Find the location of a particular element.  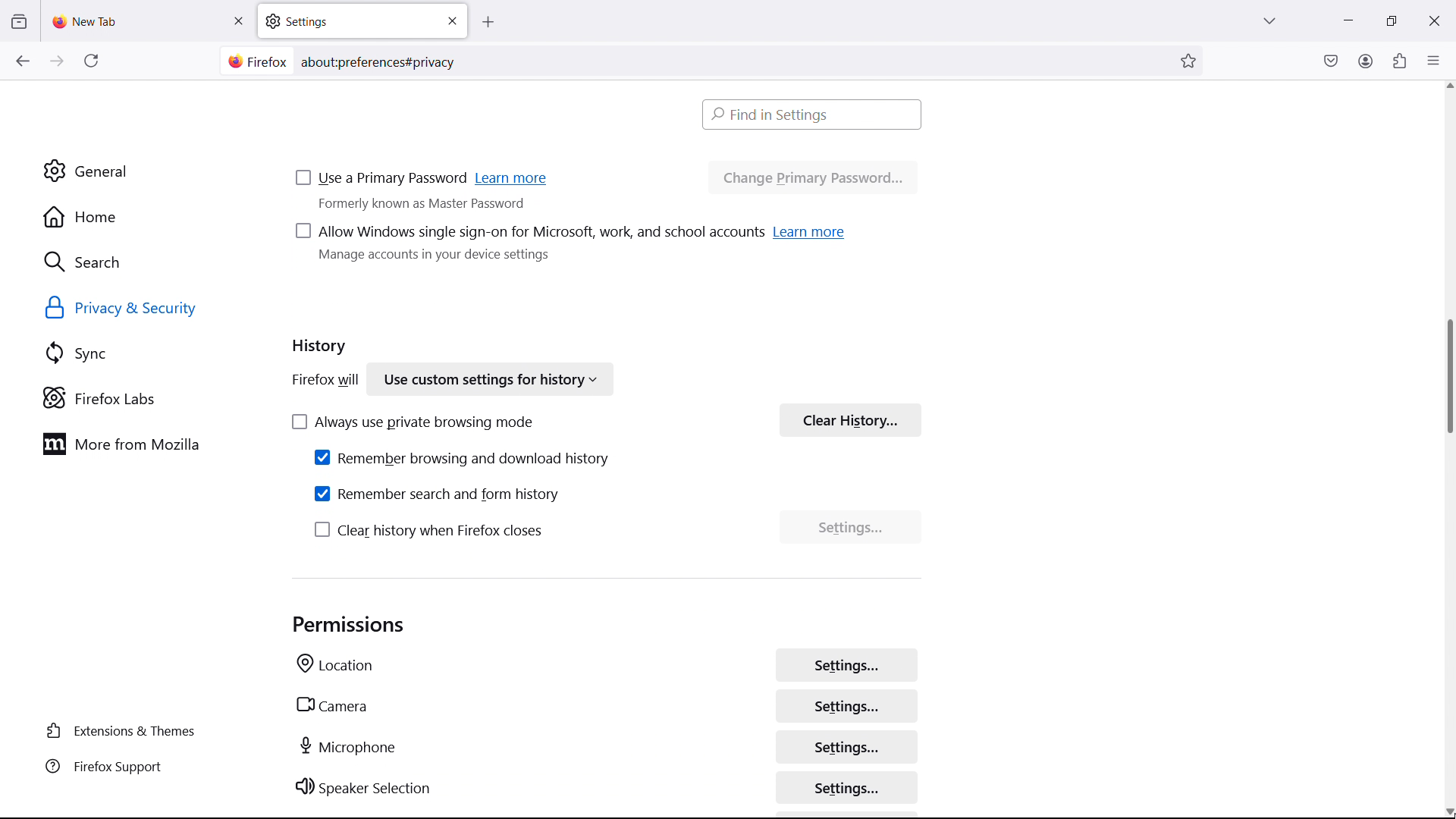

learn more about single sign-in is located at coordinates (811, 229).